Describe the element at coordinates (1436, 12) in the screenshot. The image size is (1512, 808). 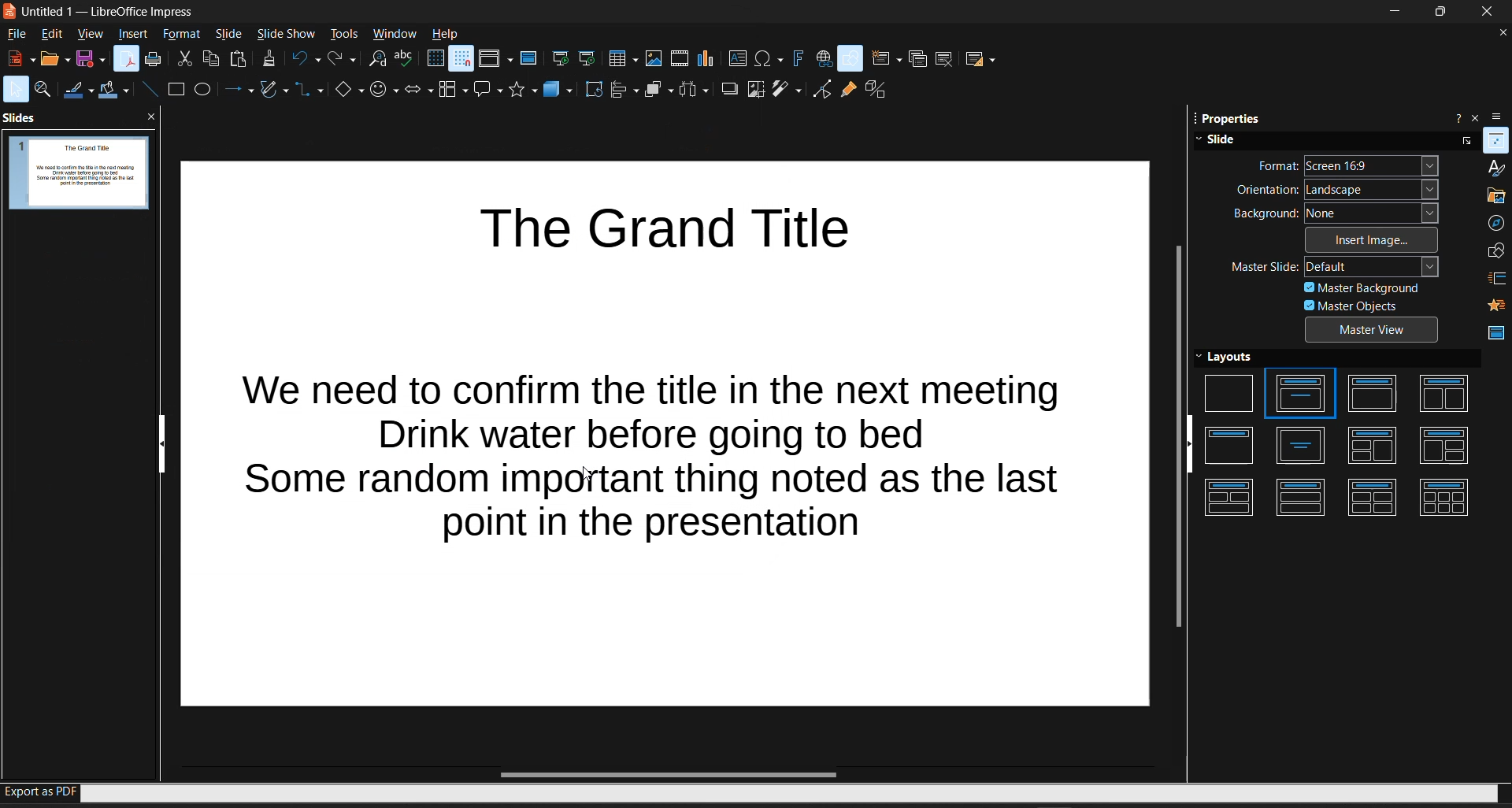
I see `maximize` at that location.